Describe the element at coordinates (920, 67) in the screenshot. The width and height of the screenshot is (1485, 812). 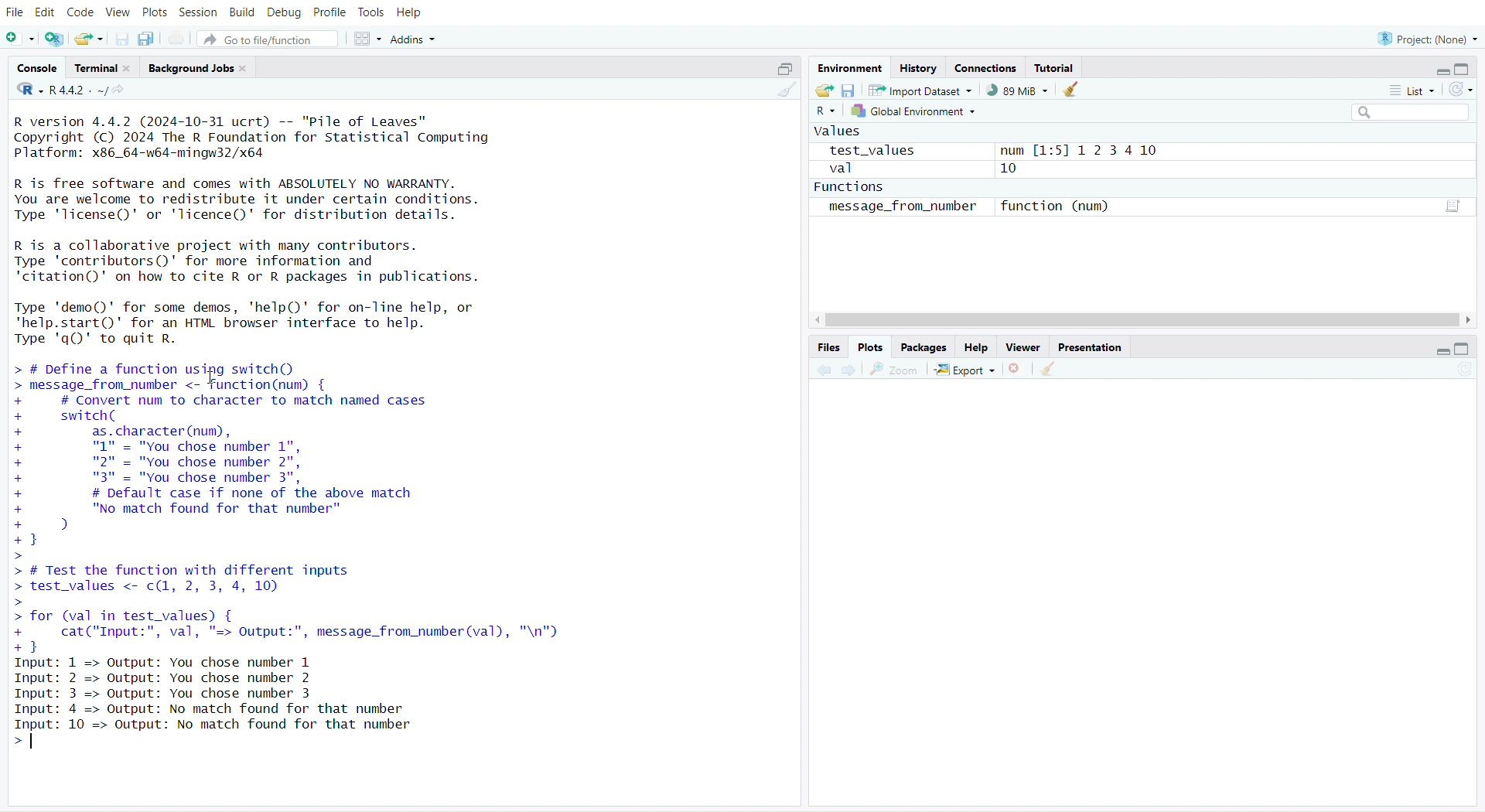
I see `History` at that location.